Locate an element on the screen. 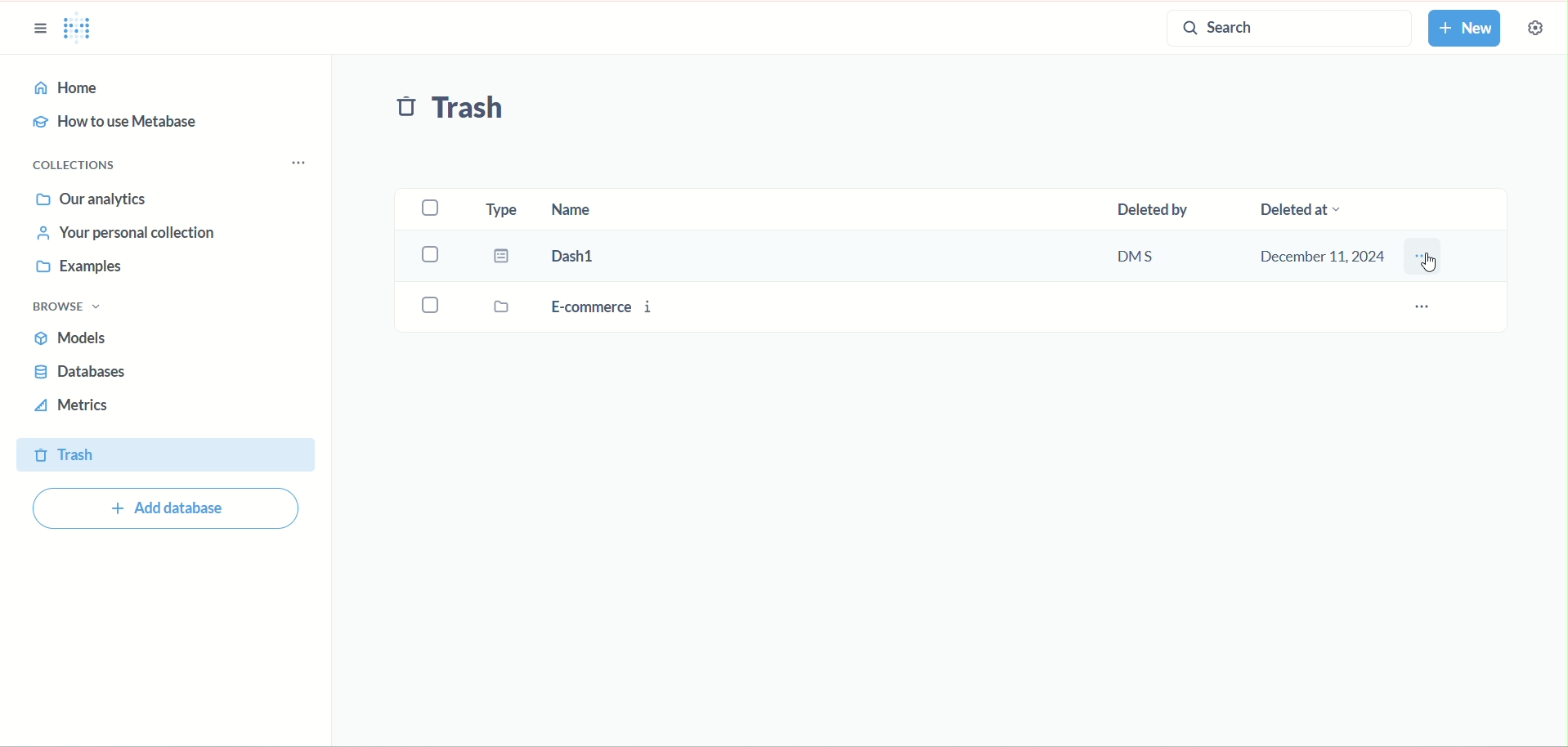  collection options is located at coordinates (305, 158).